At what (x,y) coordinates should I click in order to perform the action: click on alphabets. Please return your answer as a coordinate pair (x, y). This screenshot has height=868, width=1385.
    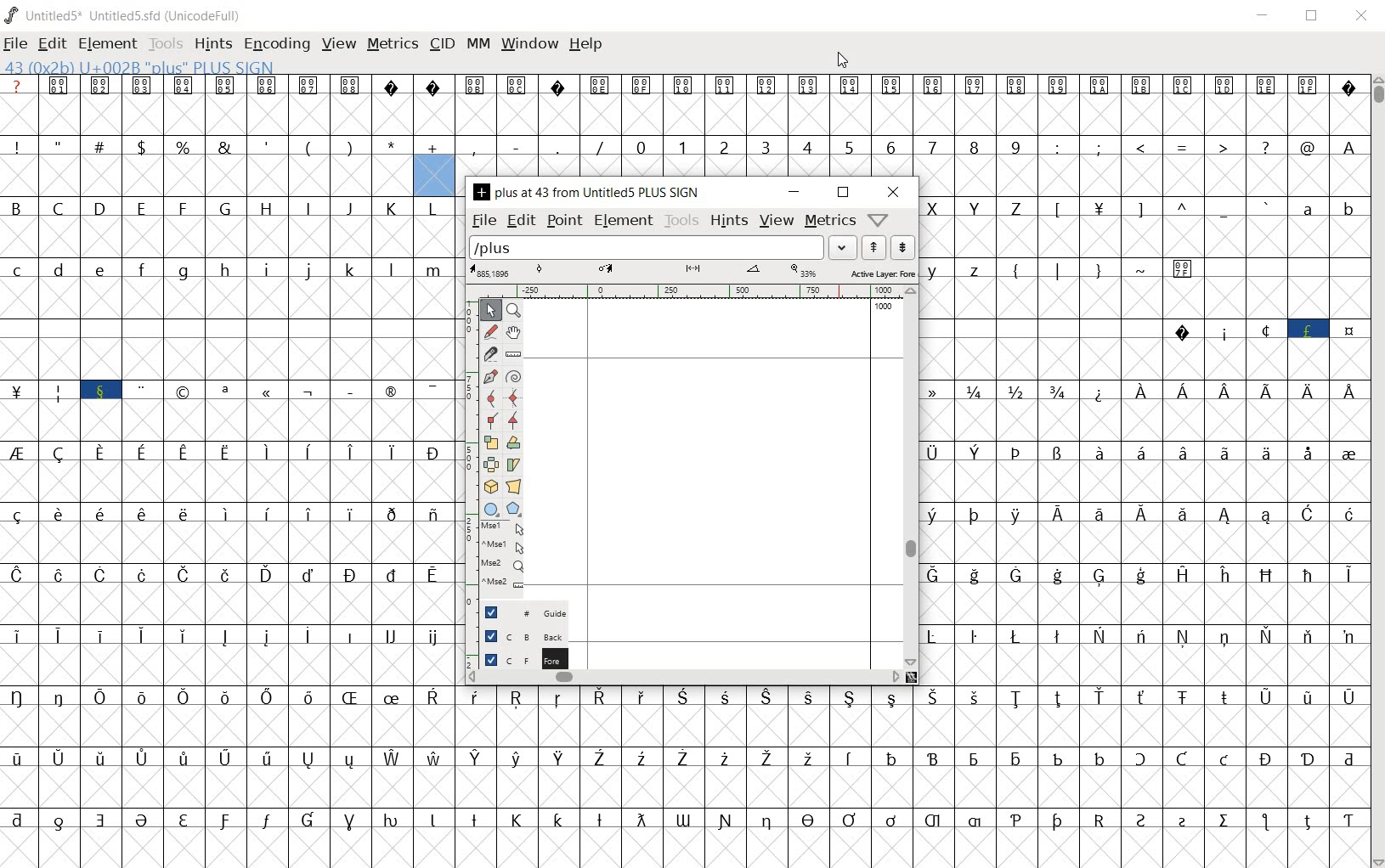
    Looking at the image, I should click on (227, 289).